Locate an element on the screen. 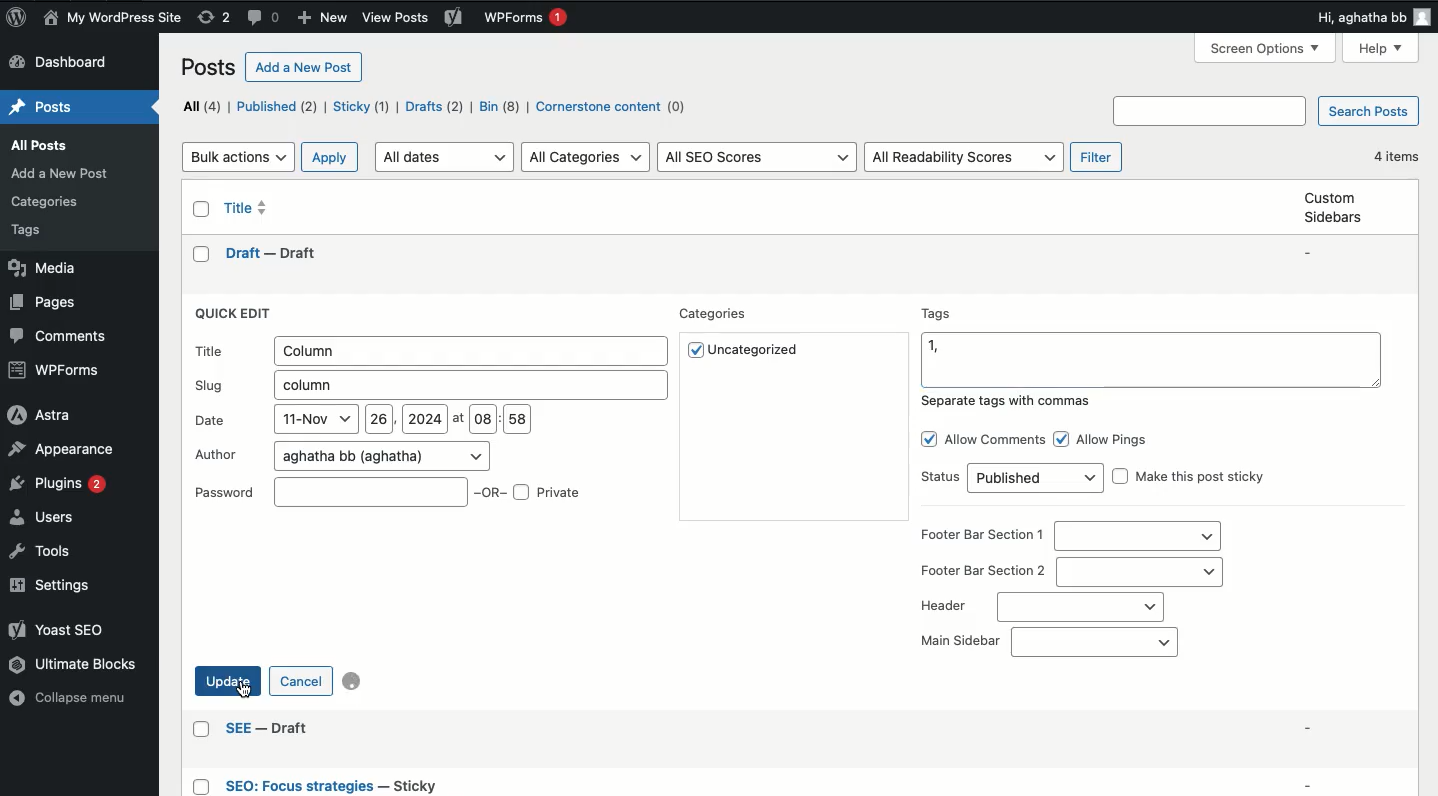 This screenshot has width=1438, height=796. Astra is located at coordinates (39, 415).